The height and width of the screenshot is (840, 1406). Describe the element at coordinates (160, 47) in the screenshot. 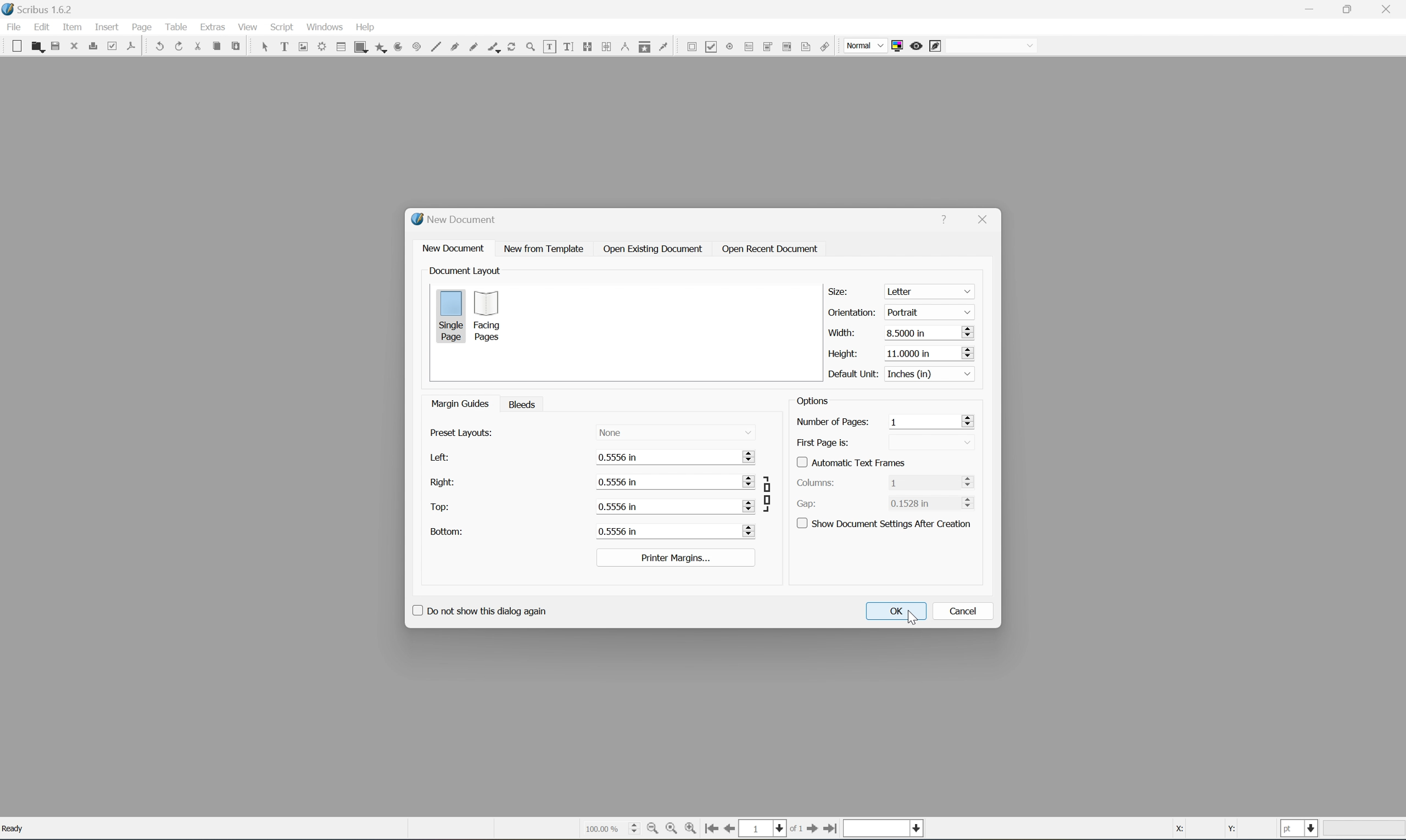

I see `undo` at that location.